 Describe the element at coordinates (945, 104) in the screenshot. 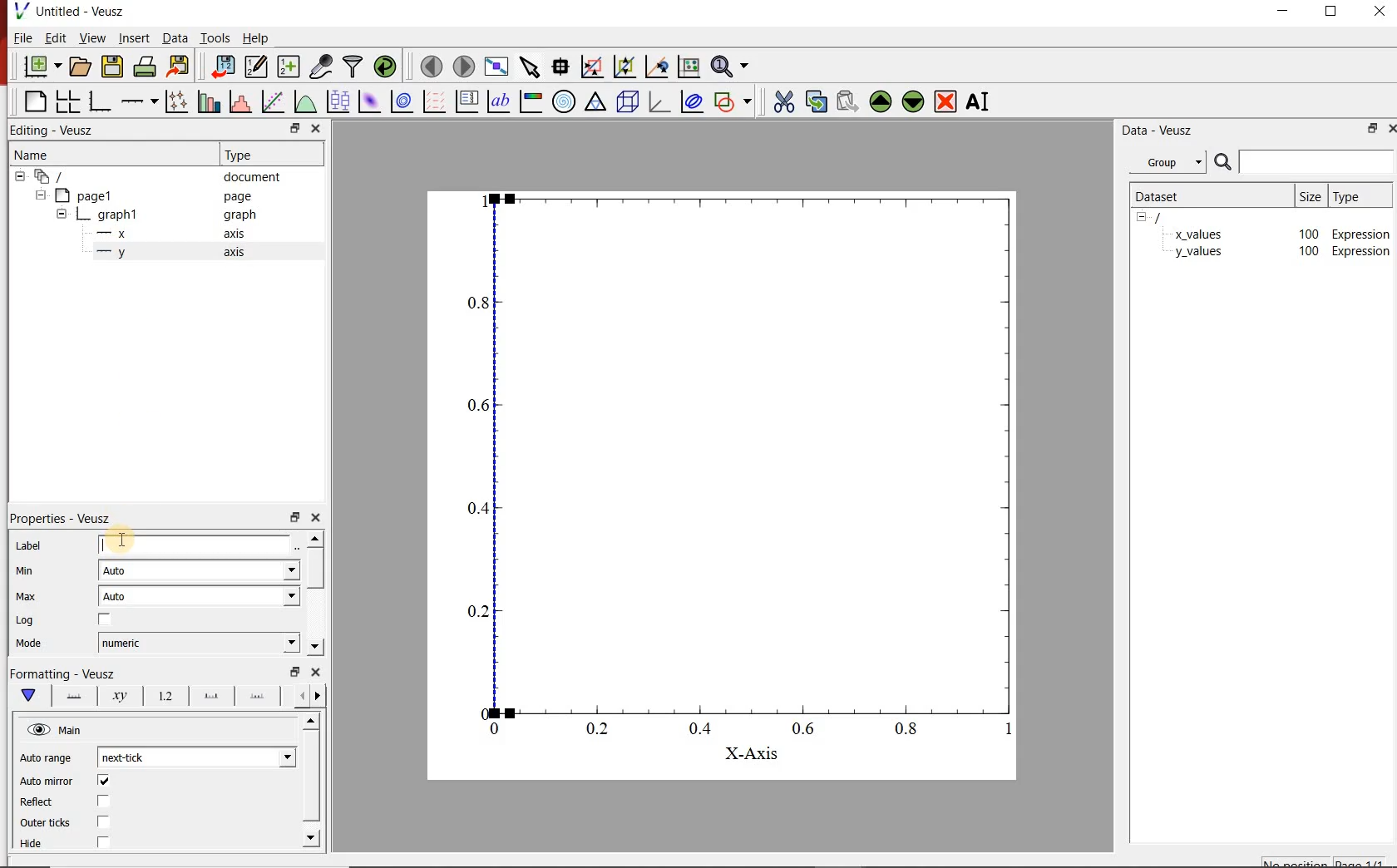

I see `remove the selected widget` at that location.